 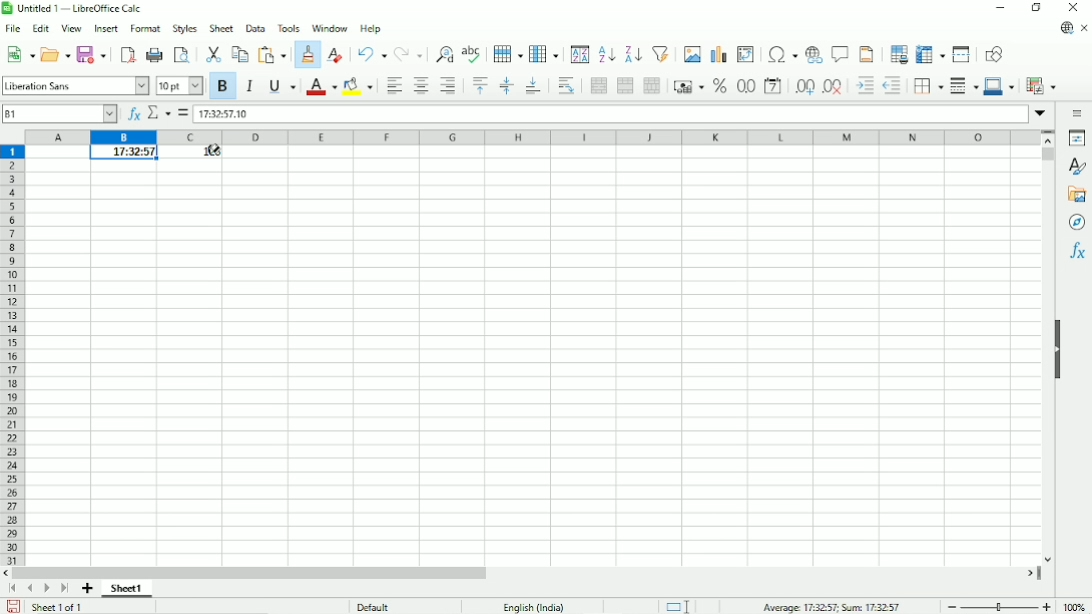 I want to click on Conditional, so click(x=1043, y=84).